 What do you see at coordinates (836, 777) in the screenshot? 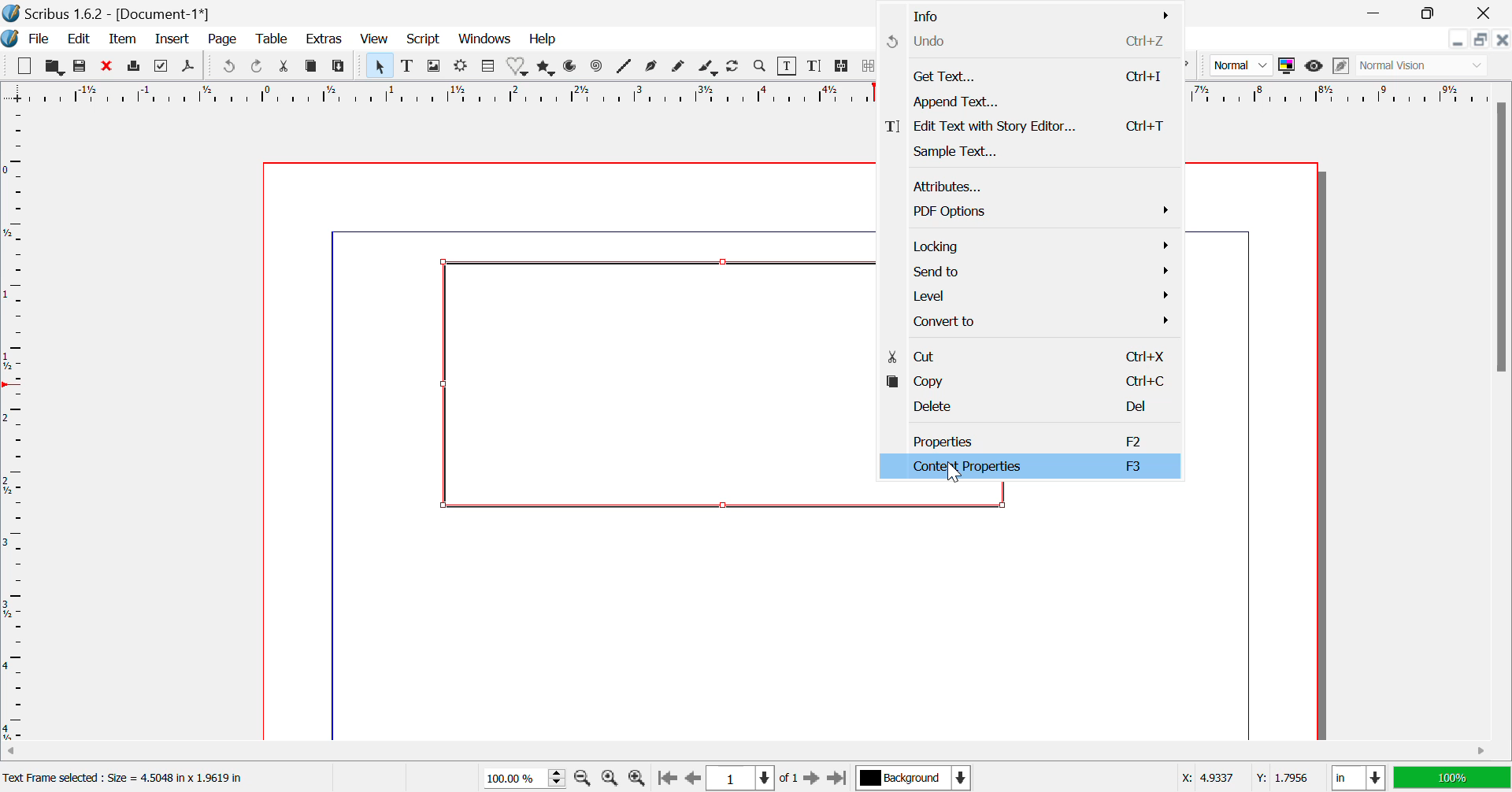
I see `Last Page` at bounding box center [836, 777].